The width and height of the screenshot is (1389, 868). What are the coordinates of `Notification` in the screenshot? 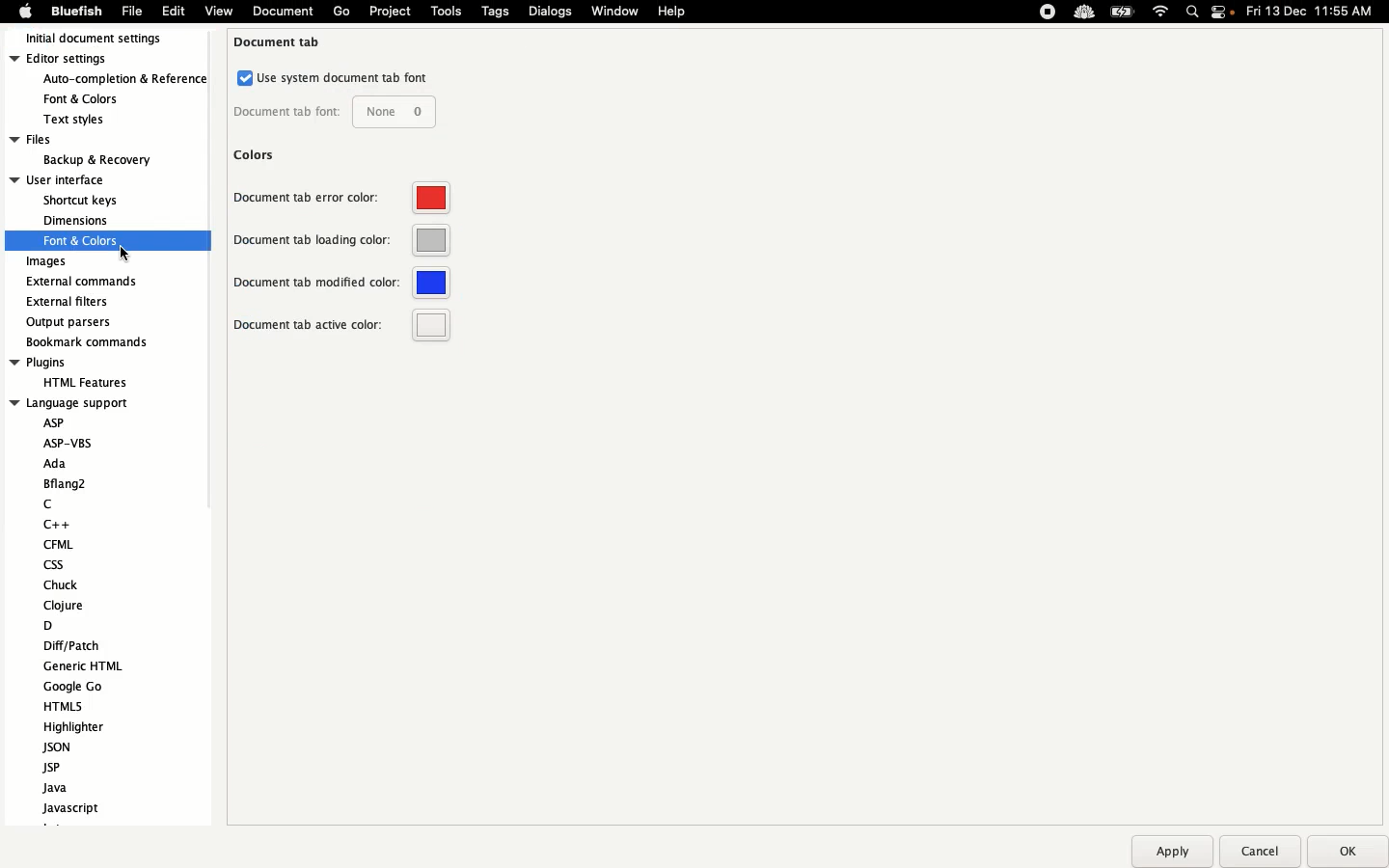 It's located at (1224, 14).